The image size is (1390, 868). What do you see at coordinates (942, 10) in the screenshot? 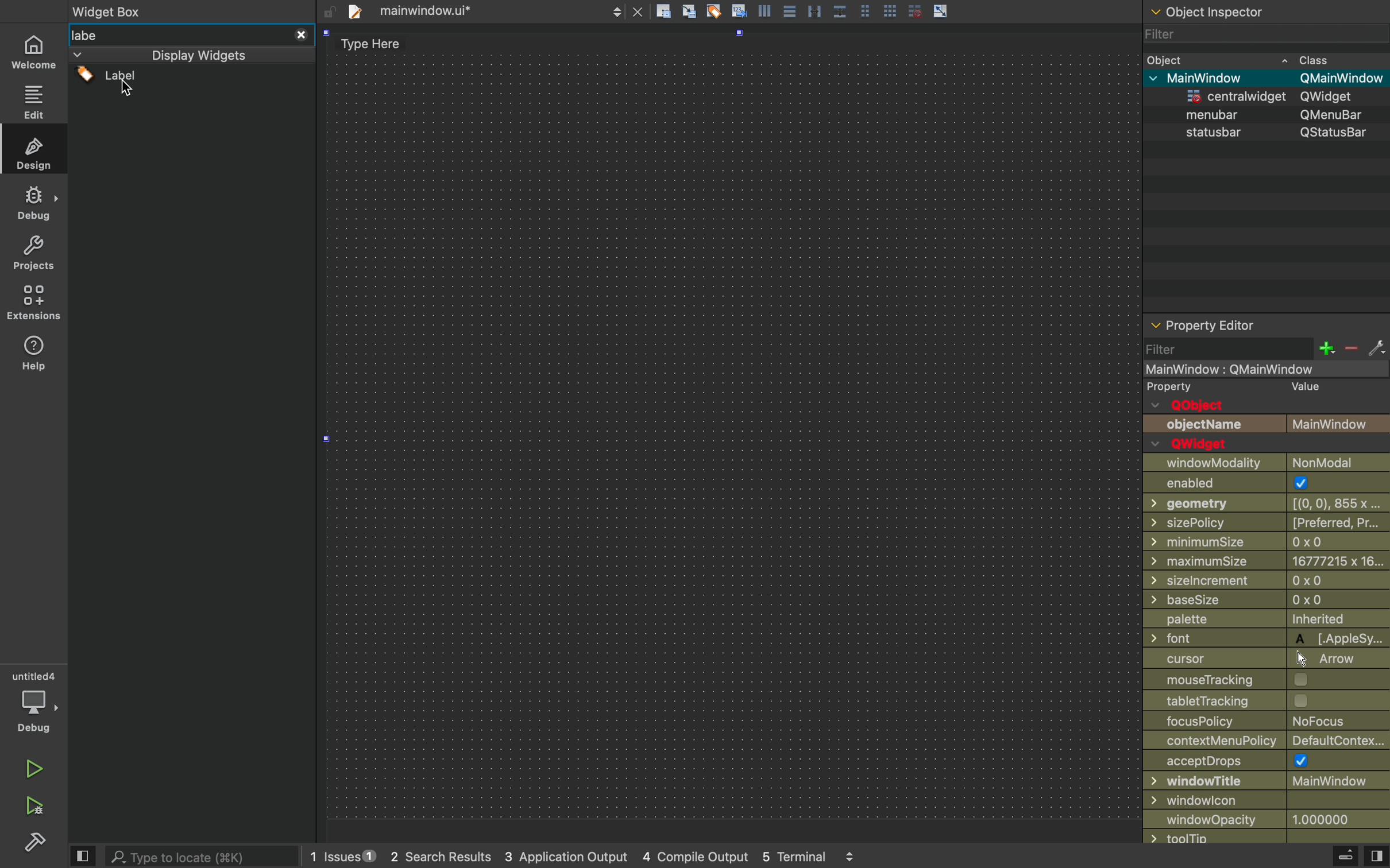
I see `arrow` at bounding box center [942, 10].